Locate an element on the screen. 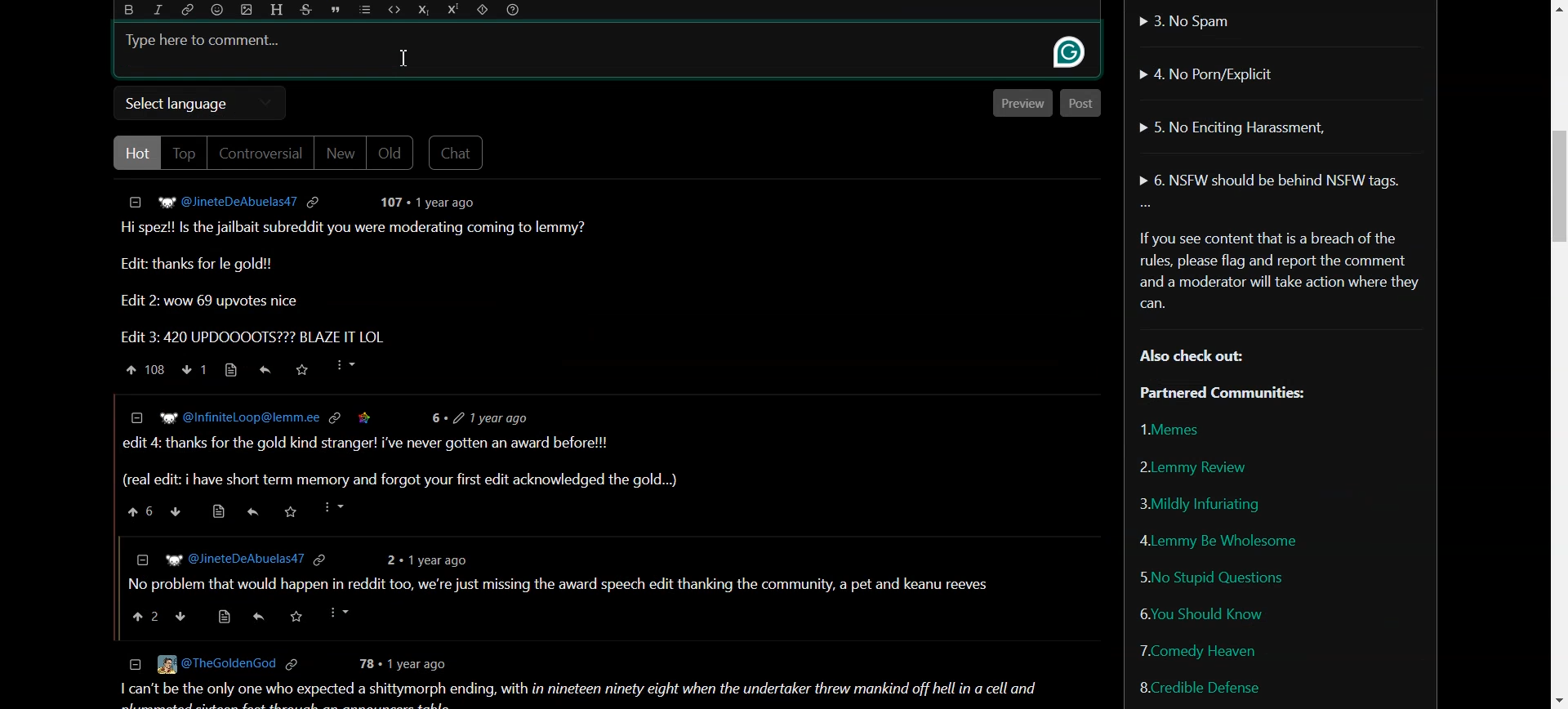 The width and height of the screenshot is (1568, 709). Chat is located at coordinates (457, 153).